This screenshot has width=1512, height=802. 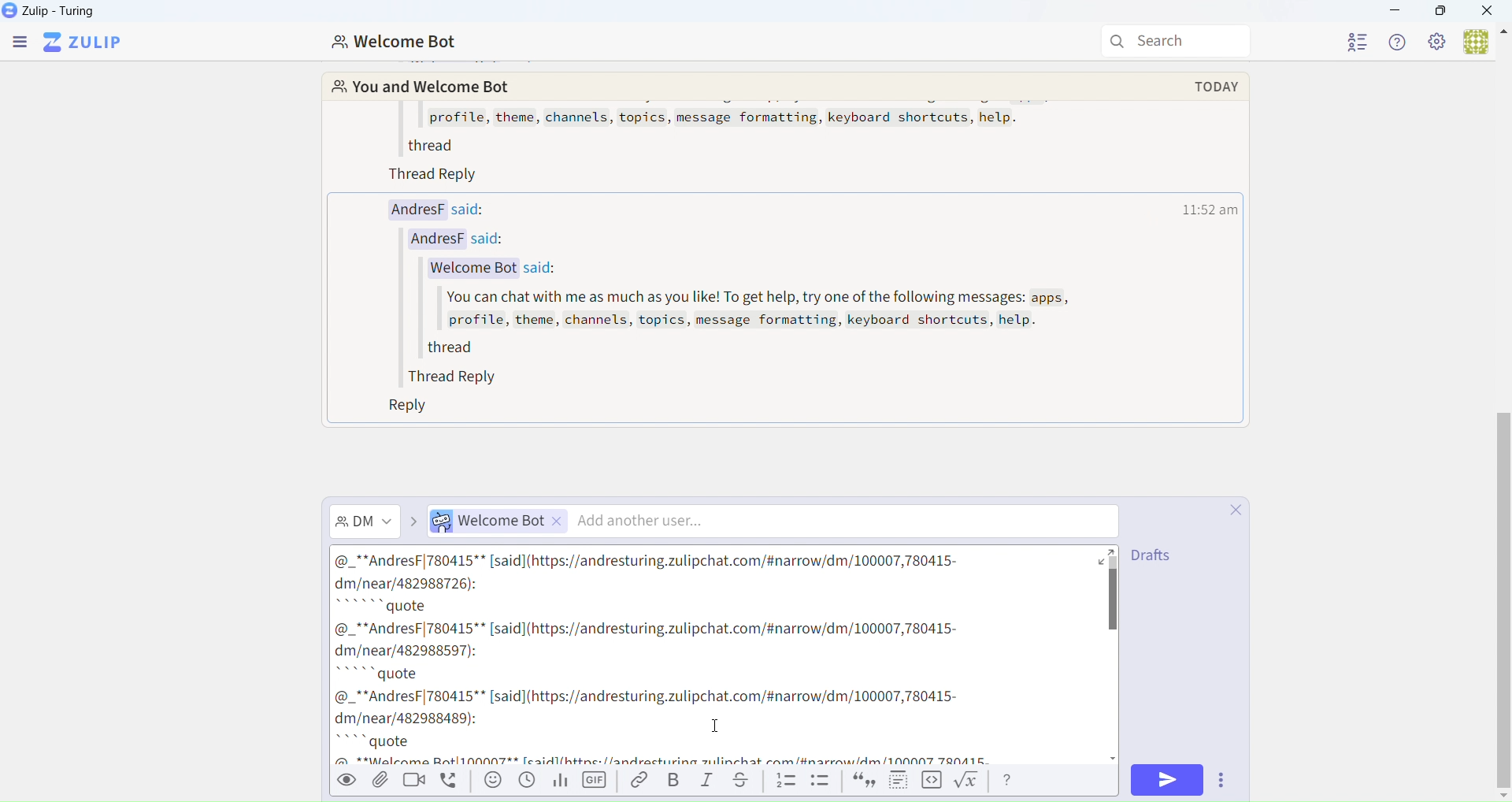 I want to click on Search, so click(x=1177, y=39).